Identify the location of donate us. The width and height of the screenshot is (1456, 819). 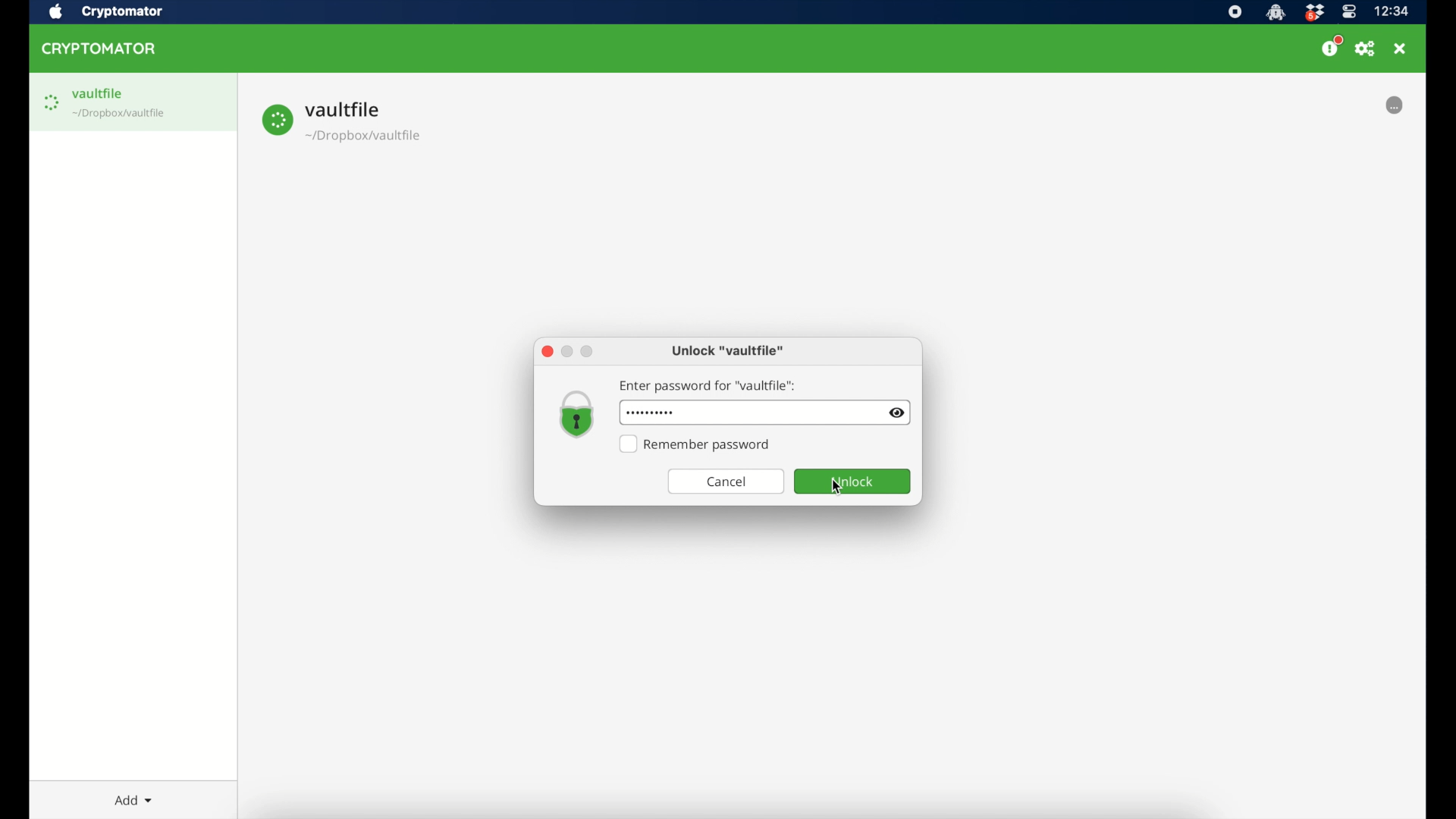
(1332, 46).